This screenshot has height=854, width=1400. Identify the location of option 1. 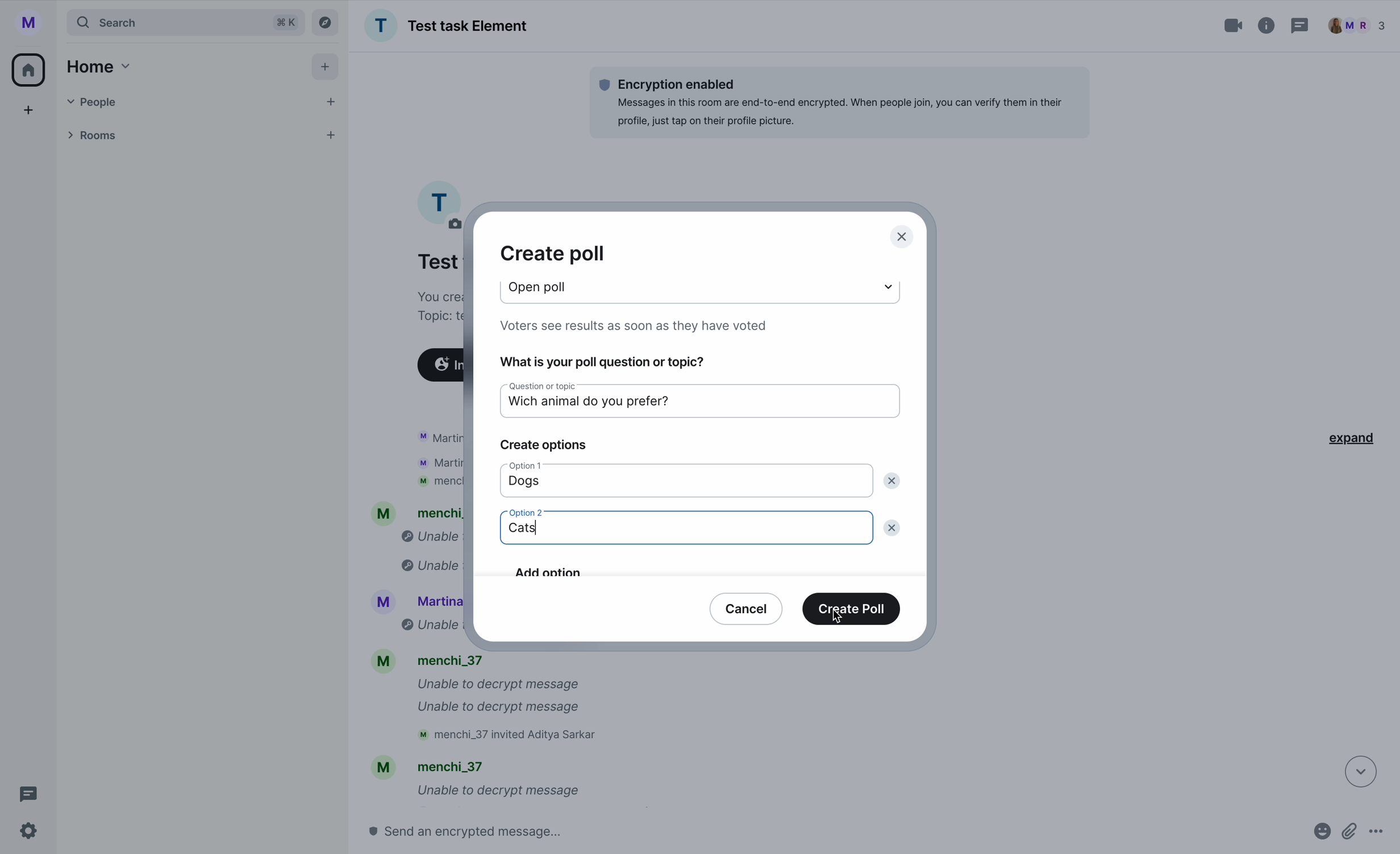
(532, 466).